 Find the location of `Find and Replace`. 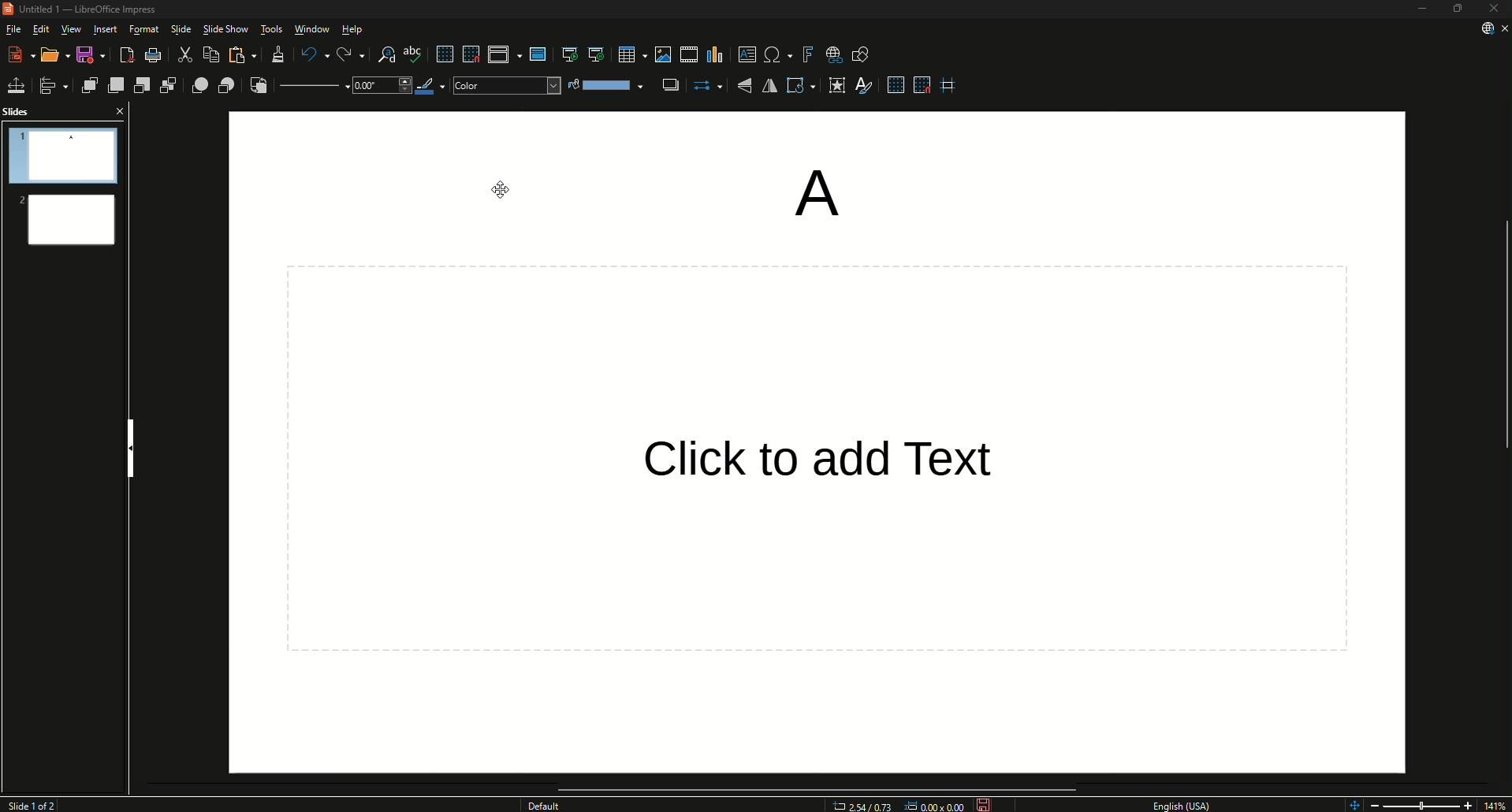

Find and Replace is located at coordinates (379, 52).